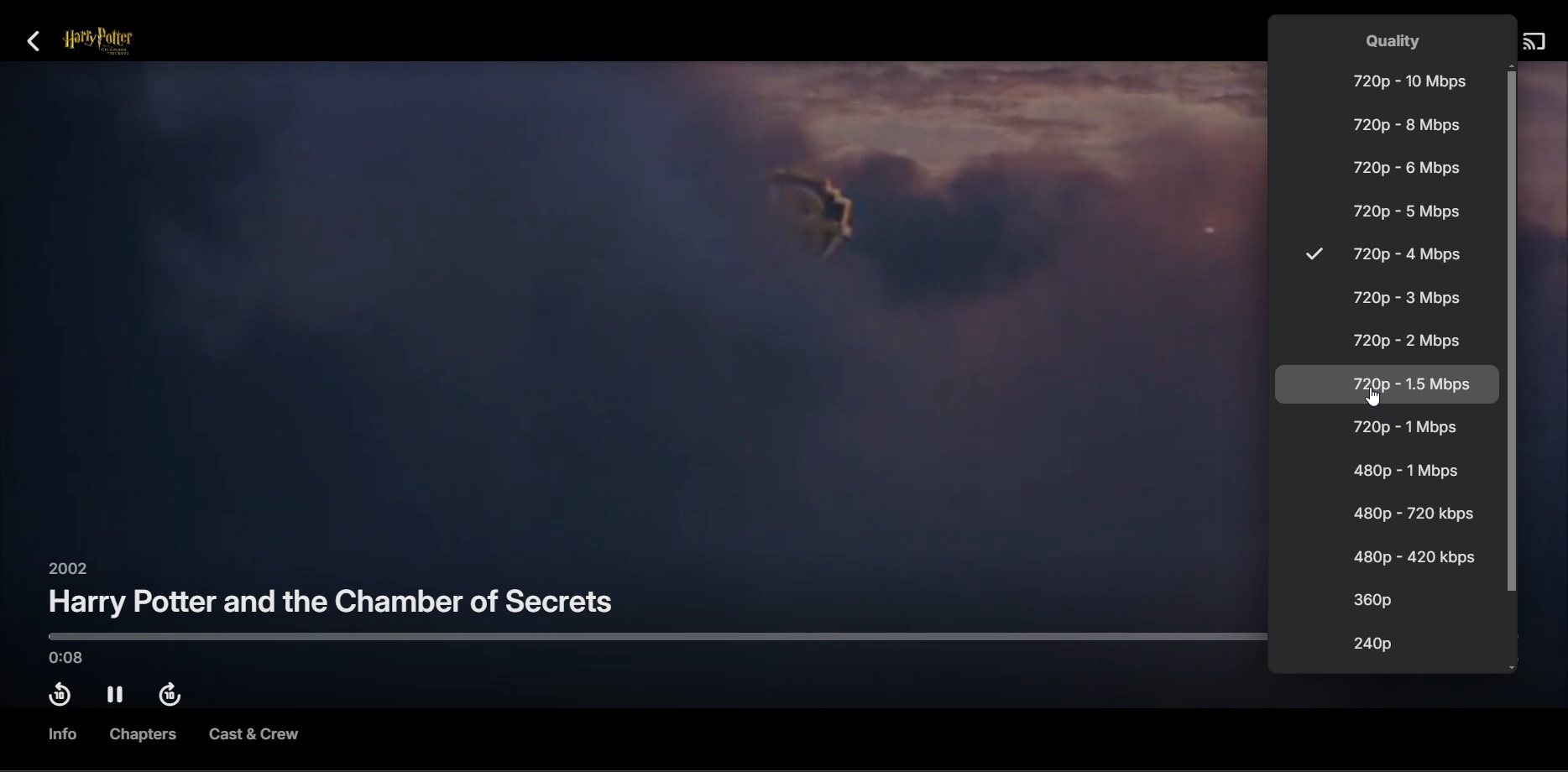 This screenshot has width=1568, height=772. What do you see at coordinates (1405, 167) in the screenshot?
I see `720p - 6Mbps` at bounding box center [1405, 167].